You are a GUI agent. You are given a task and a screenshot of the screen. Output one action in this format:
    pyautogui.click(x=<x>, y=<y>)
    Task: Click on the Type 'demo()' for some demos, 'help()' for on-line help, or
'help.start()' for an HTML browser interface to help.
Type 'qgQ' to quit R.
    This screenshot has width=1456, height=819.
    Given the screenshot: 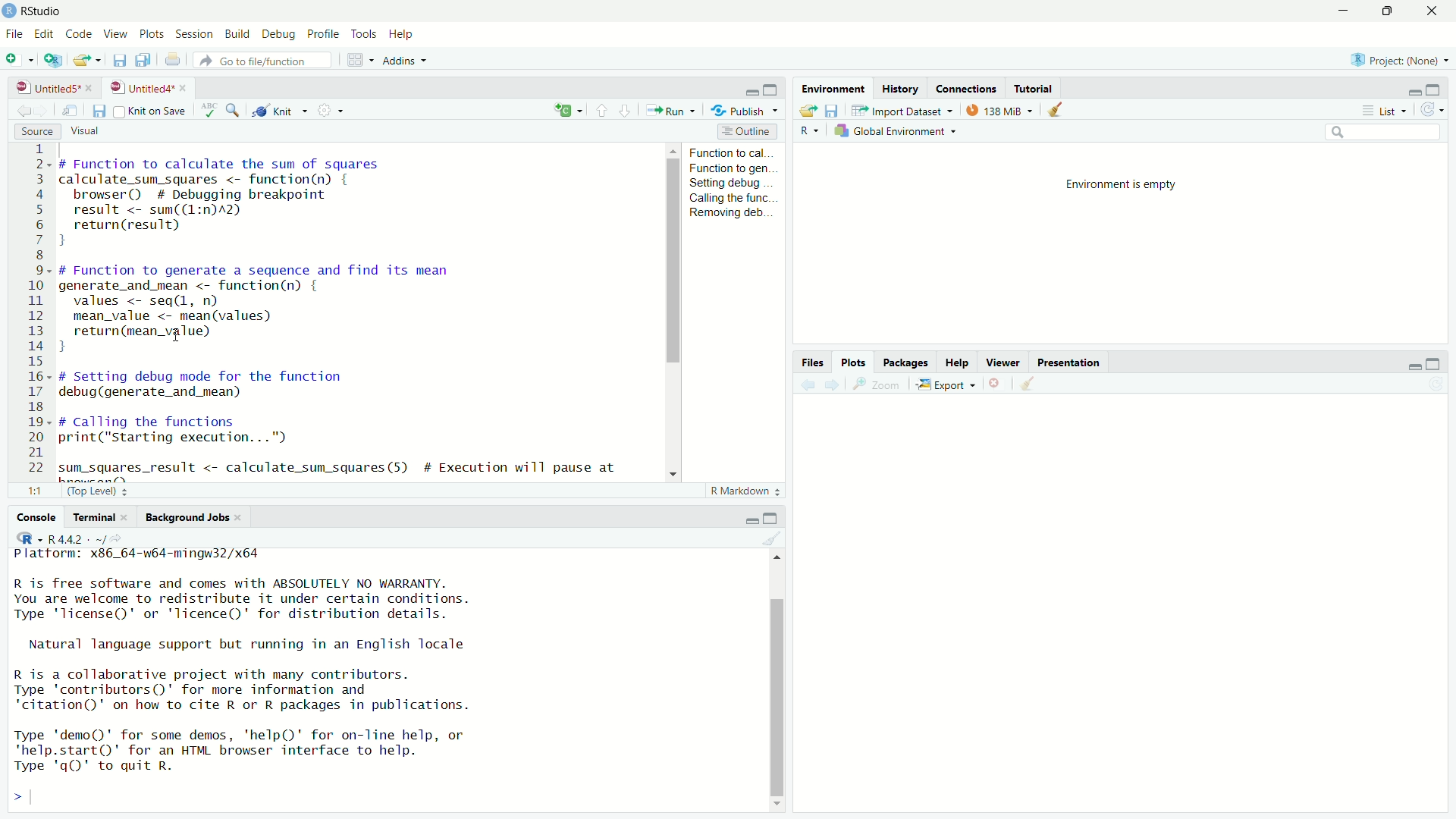 What is the action you would take?
    pyautogui.click(x=270, y=751)
    